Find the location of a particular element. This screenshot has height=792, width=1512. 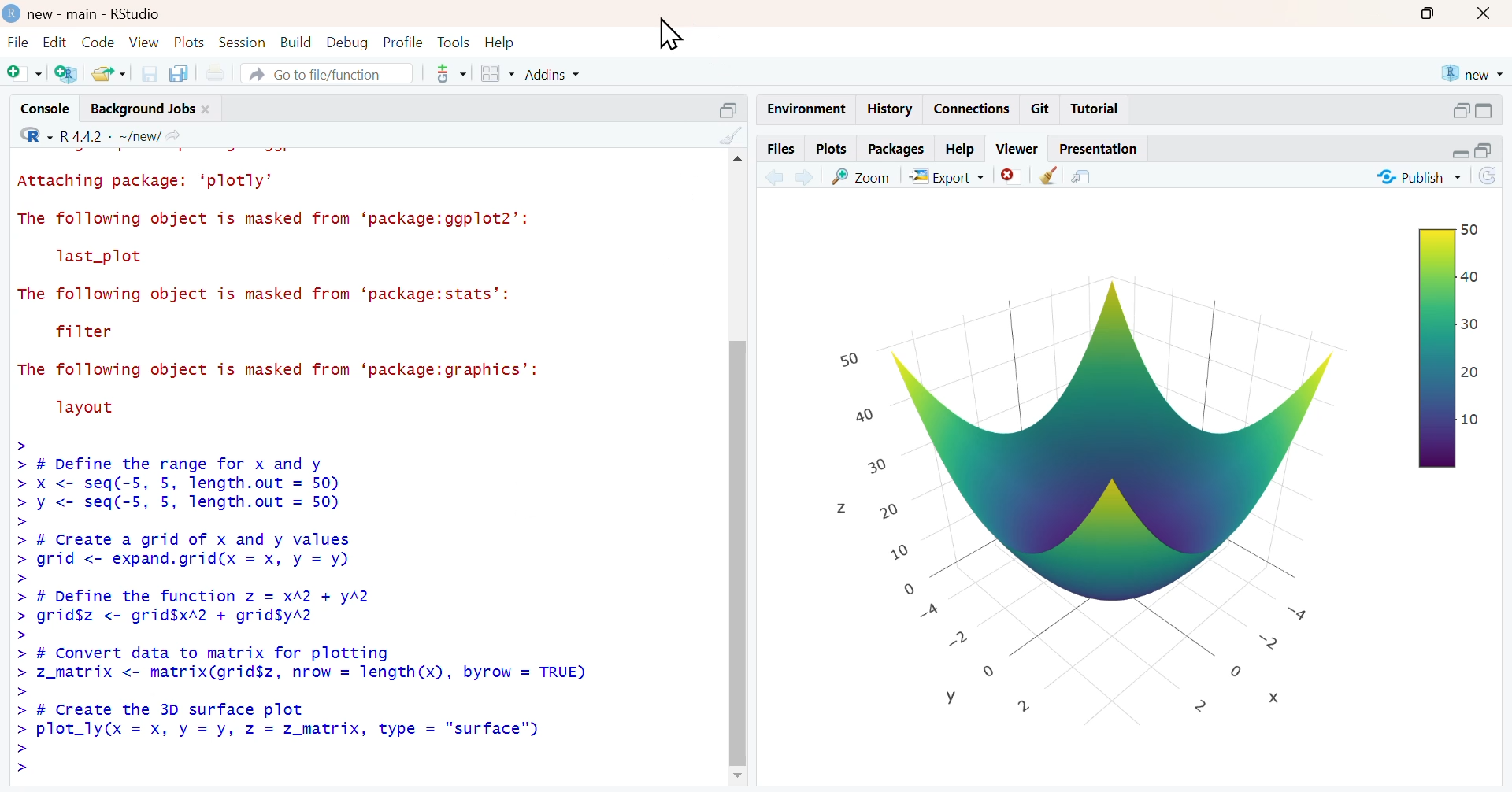

prompt cursor is located at coordinates (18, 523).